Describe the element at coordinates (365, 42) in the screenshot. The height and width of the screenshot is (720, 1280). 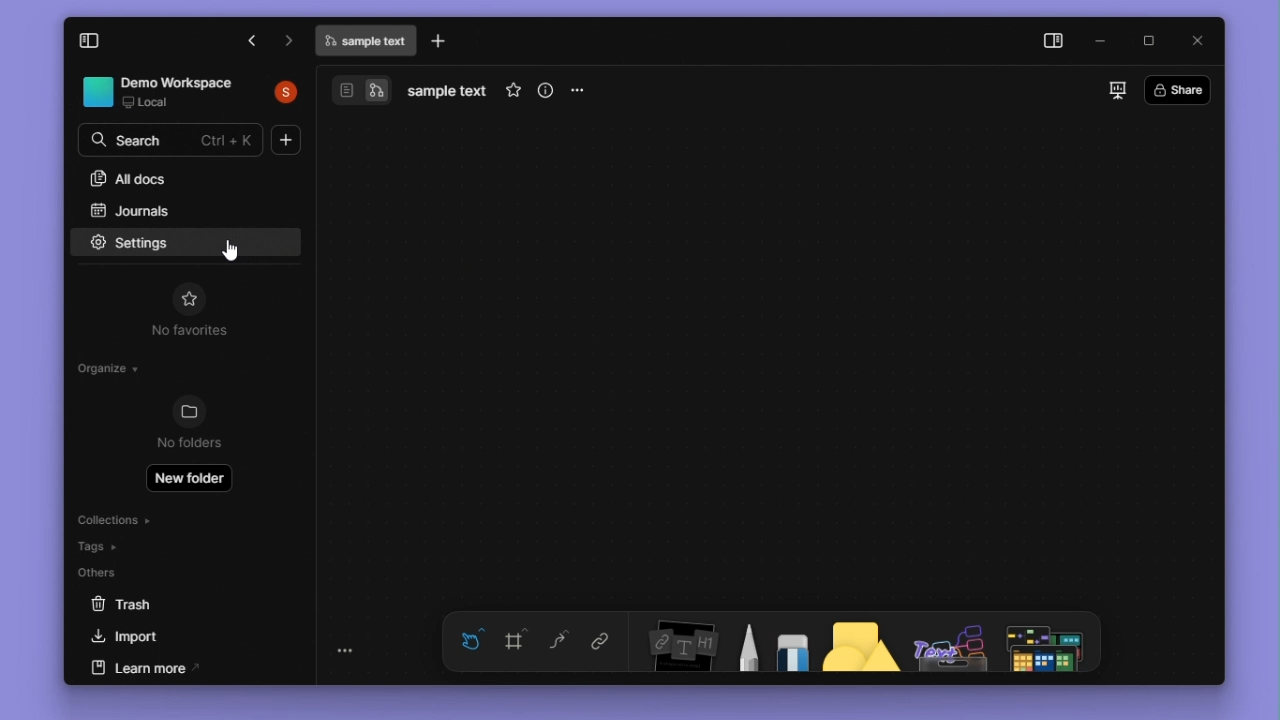
I see `file name` at that location.